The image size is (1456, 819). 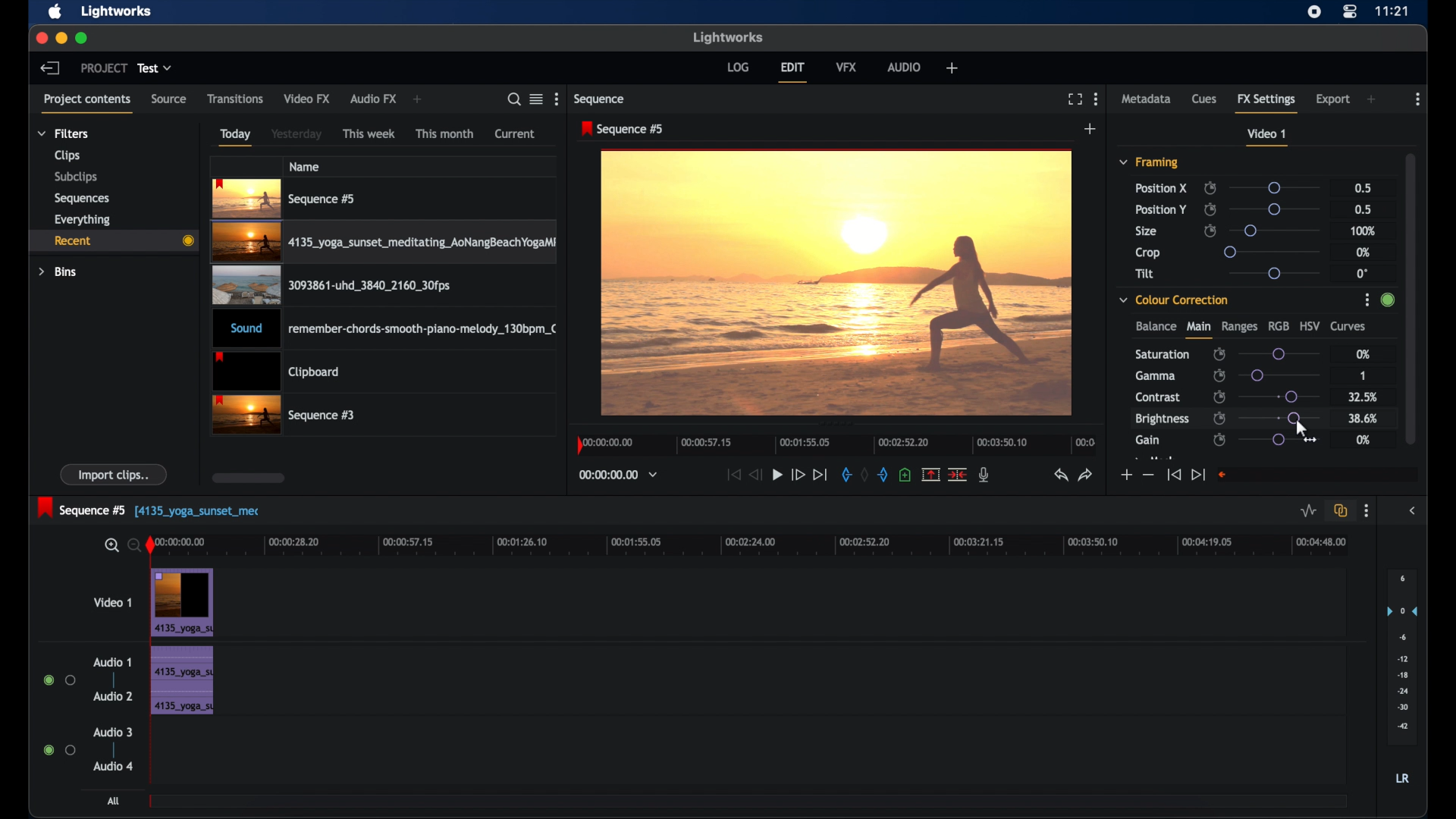 I want to click on tilt, so click(x=1145, y=274).